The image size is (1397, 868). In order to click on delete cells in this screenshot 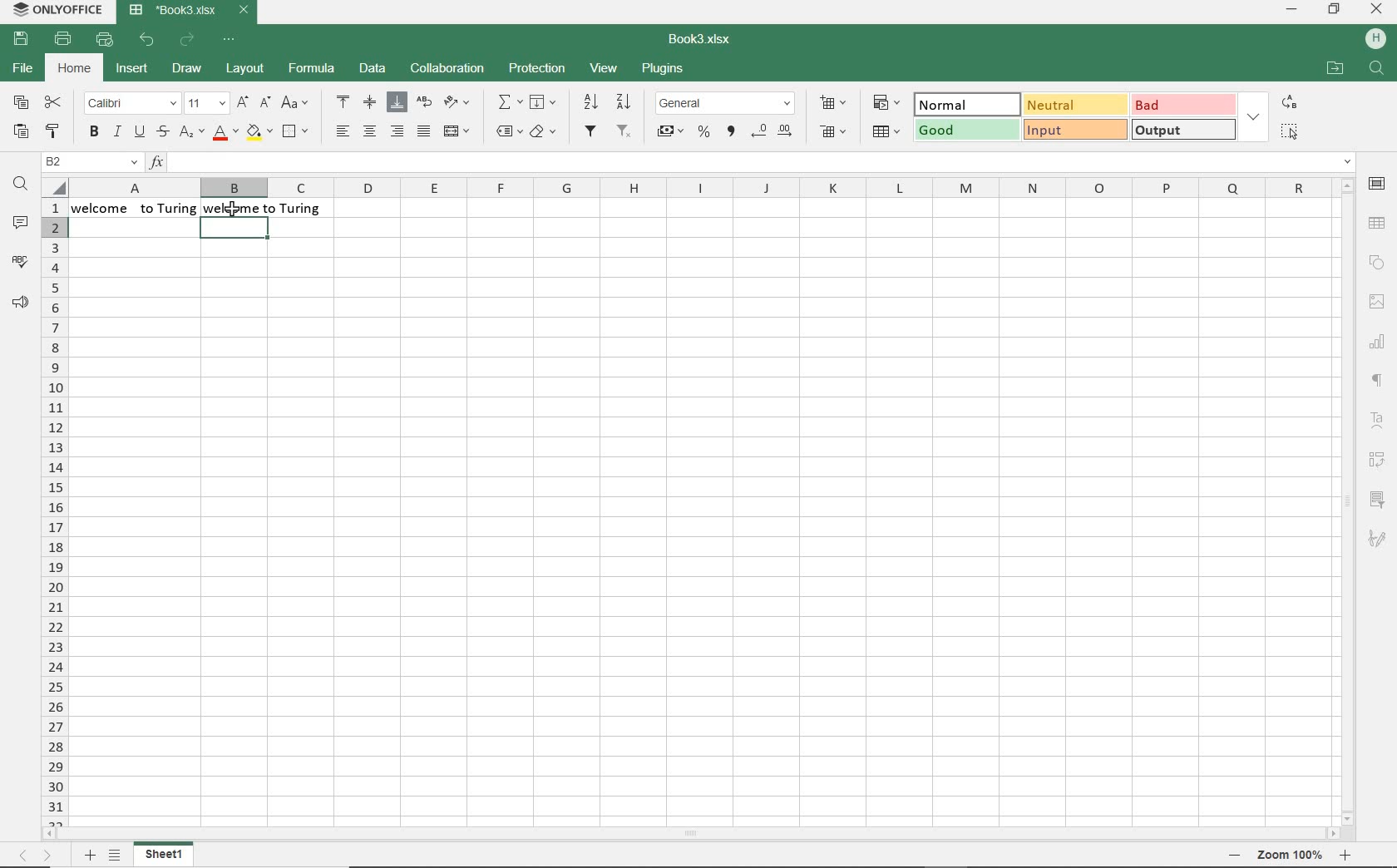, I will do `click(832, 131)`.